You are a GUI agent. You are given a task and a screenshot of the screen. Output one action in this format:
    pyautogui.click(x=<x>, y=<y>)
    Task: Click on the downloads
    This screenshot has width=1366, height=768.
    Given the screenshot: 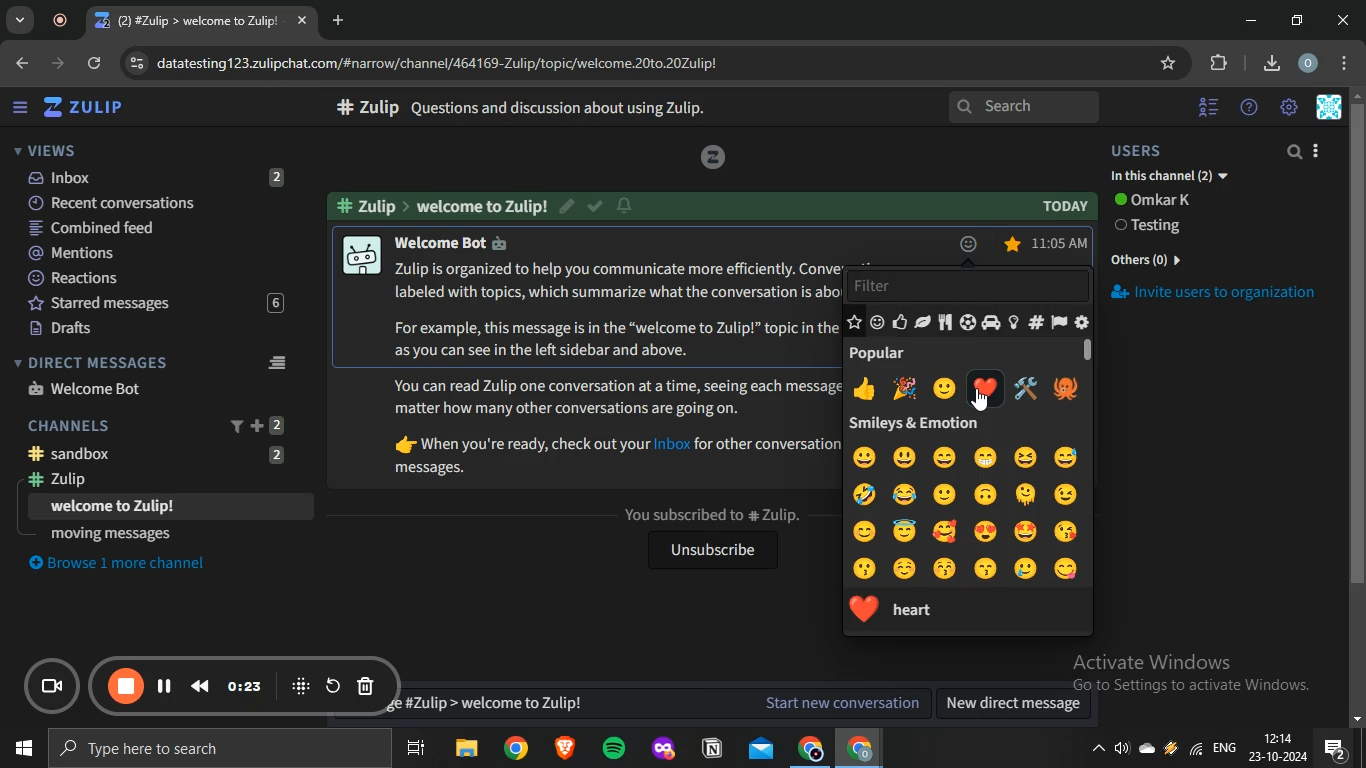 What is the action you would take?
    pyautogui.click(x=1271, y=61)
    